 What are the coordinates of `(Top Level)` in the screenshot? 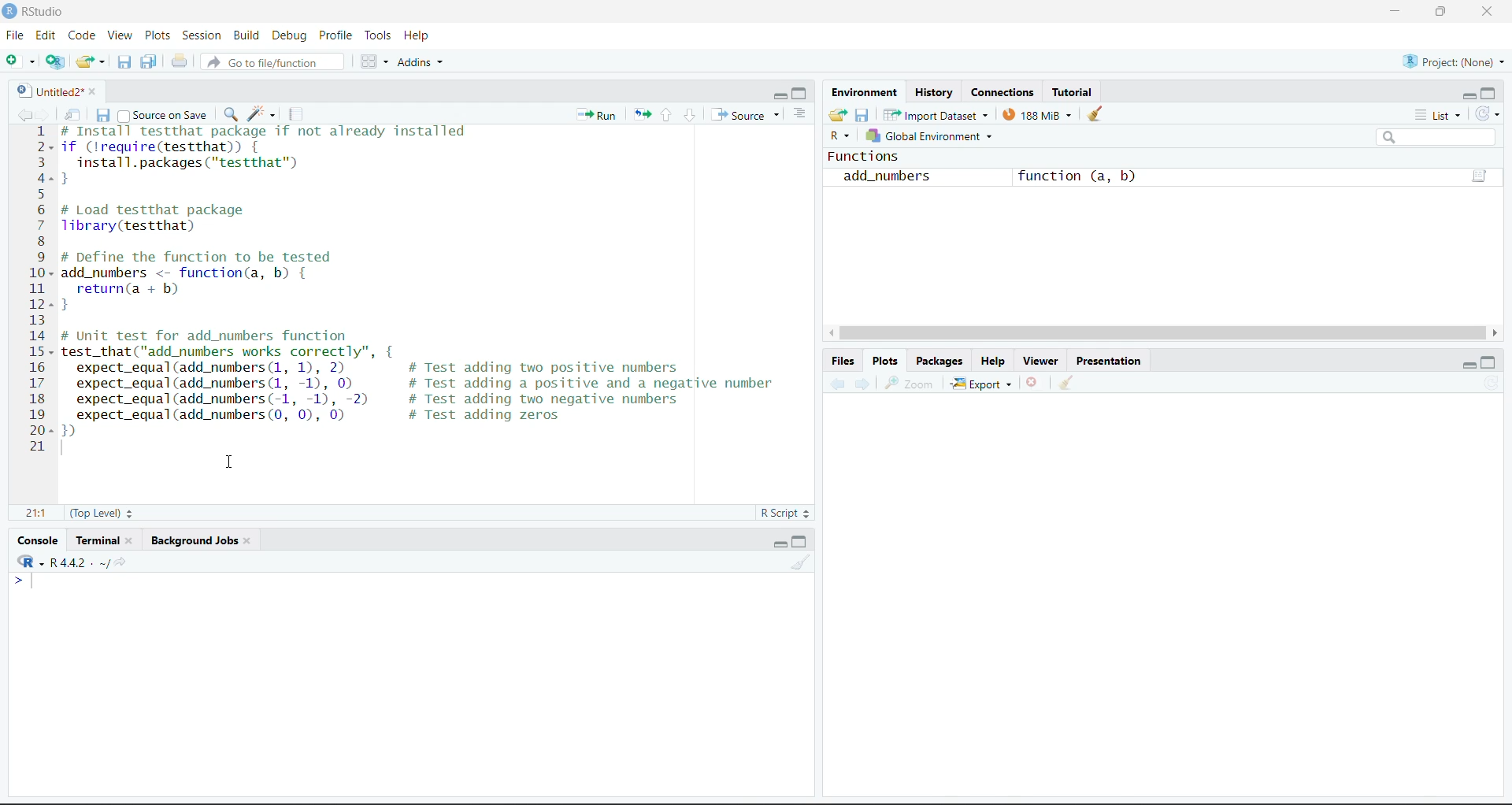 It's located at (99, 512).